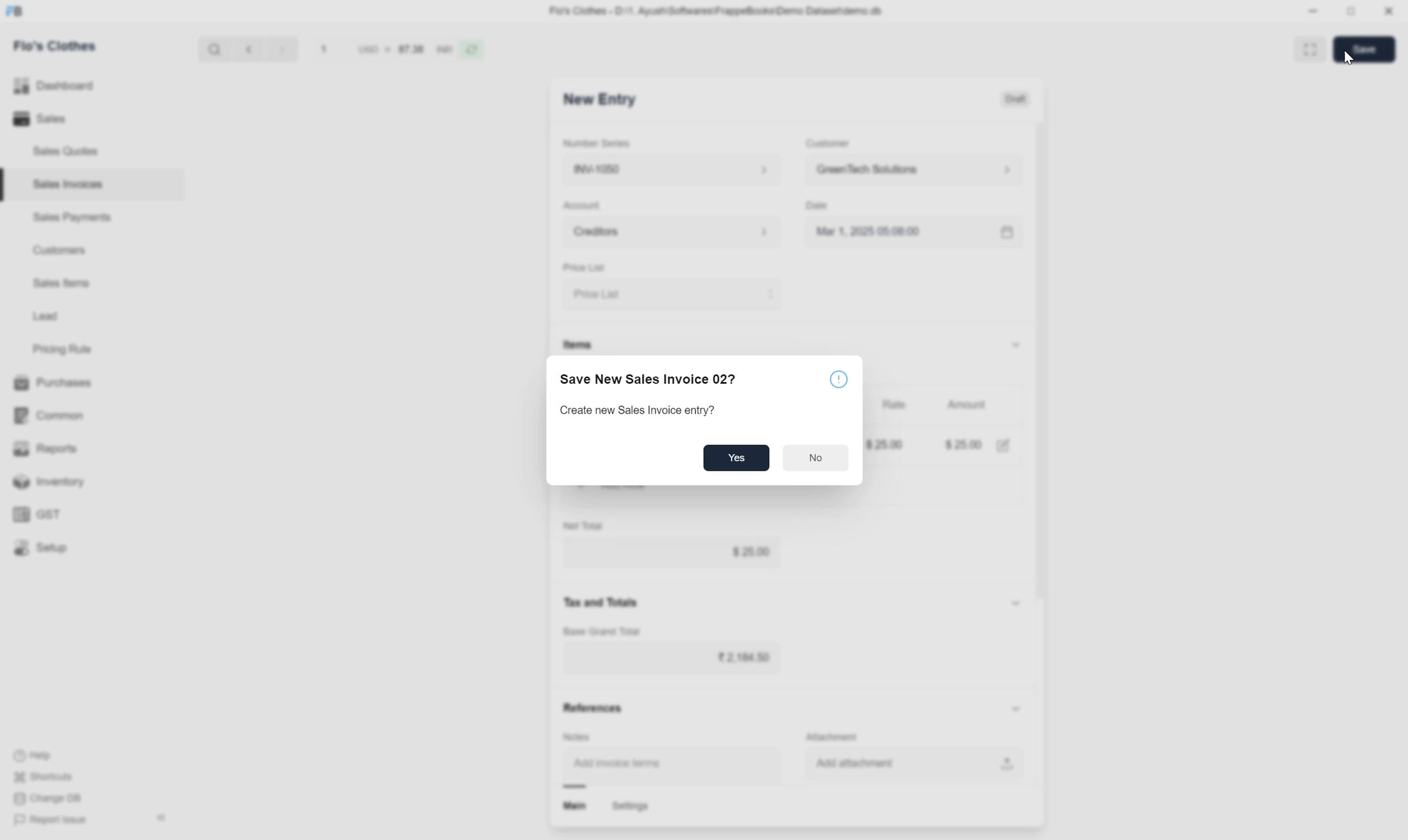 The width and height of the screenshot is (1408, 840). What do you see at coordinates (598, 144) in the screenshot?
I see `Number Series` at bounding box center [598, 144].